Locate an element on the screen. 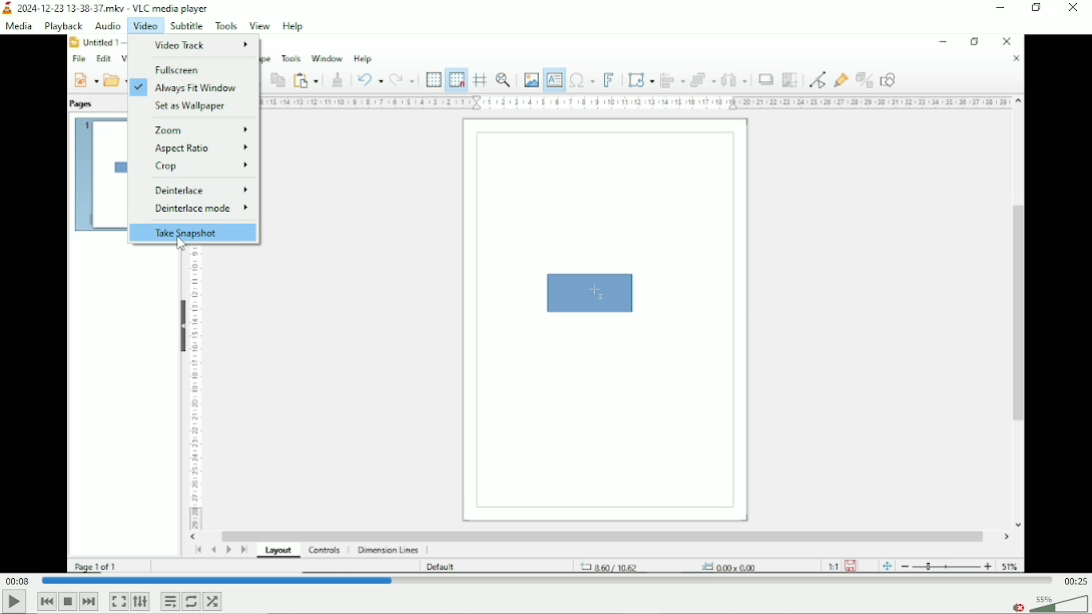 This screenshot has width=1092, height=614. Tools is located at coordinates (225, 26).